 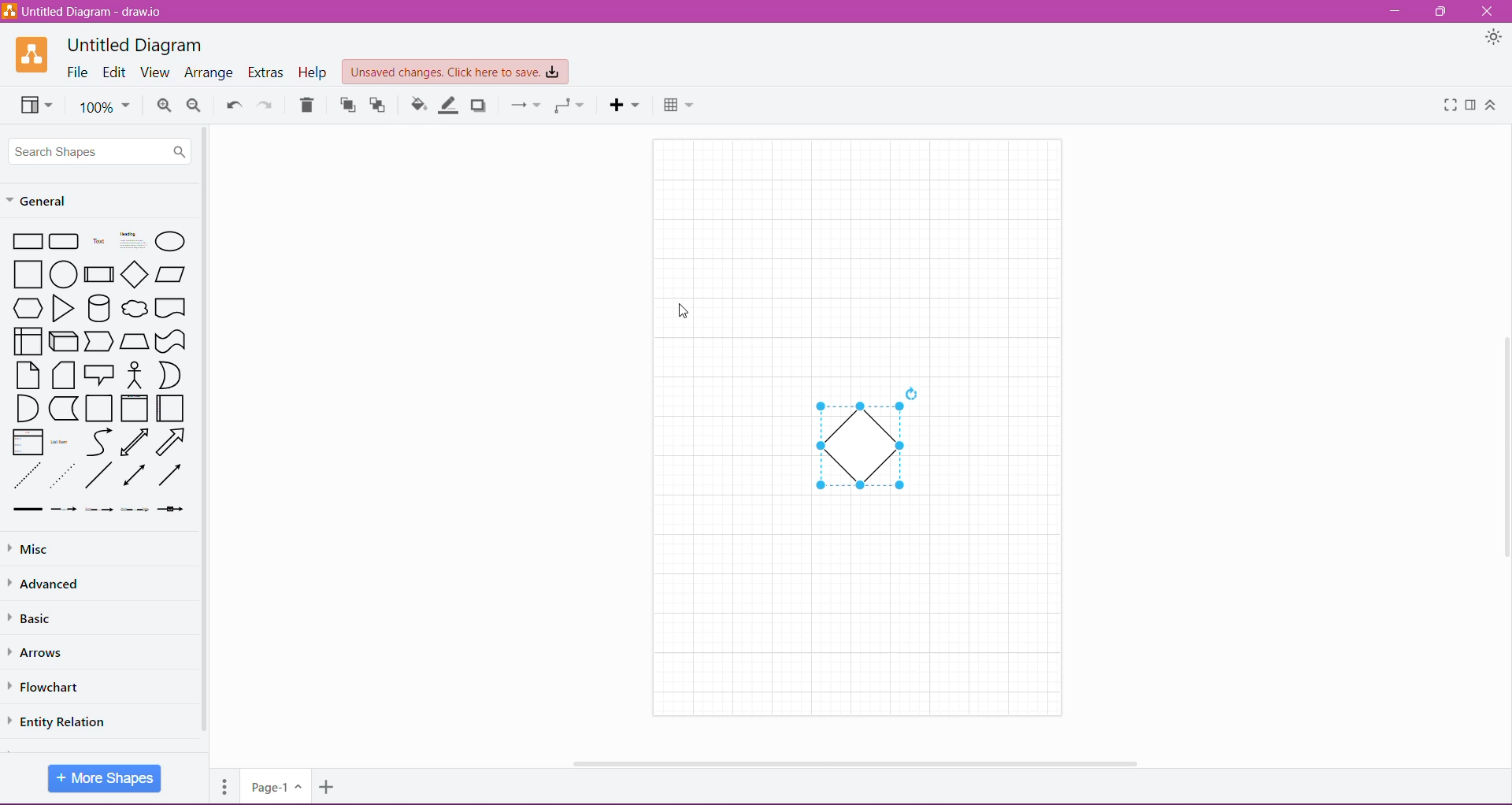 What do you see at coordinates (1450, 106) in the screenshot?
I see `Fullscreen` at bounding box center [1450, 106].